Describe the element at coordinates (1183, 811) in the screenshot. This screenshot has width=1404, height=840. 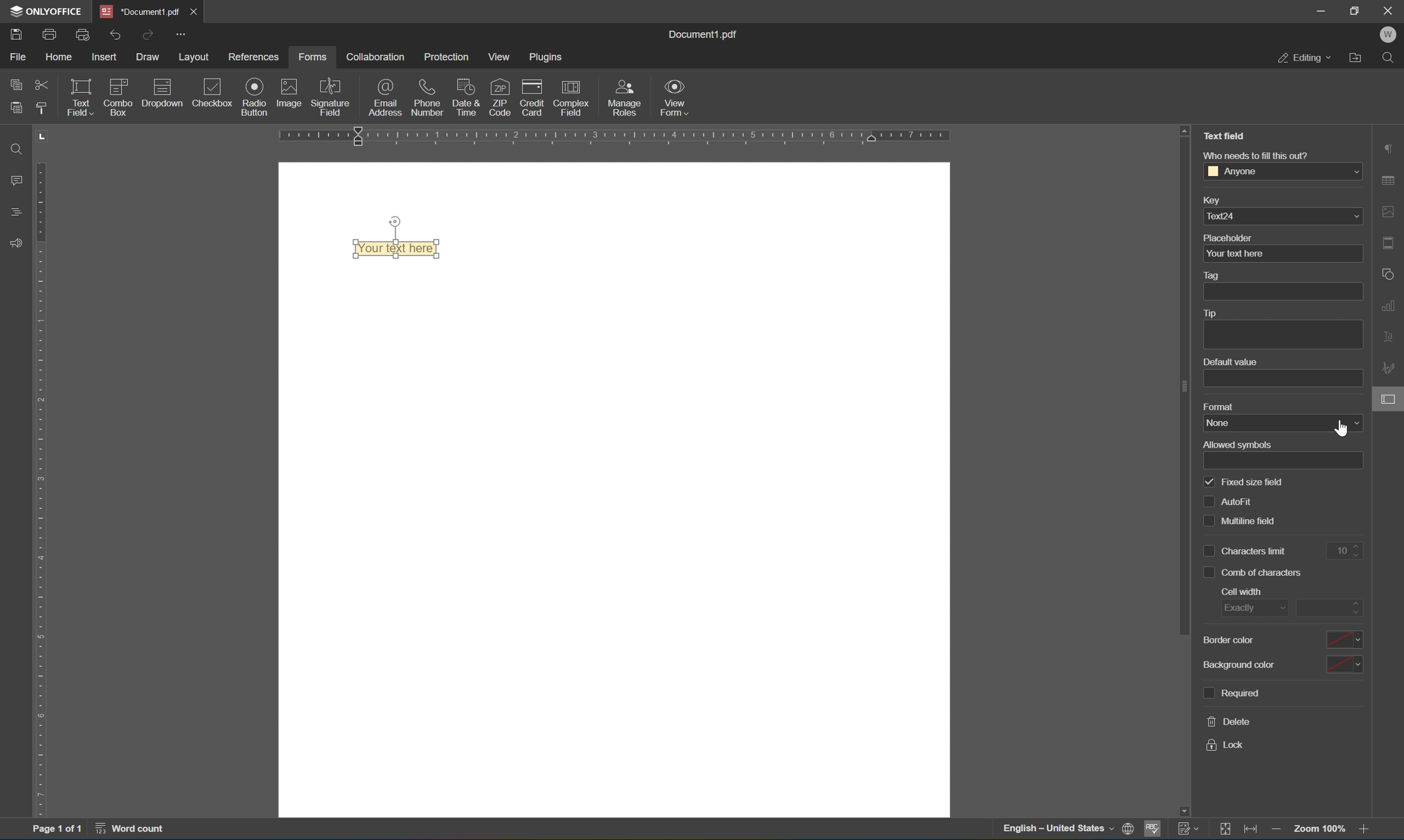
I see `scroll down` at that location.